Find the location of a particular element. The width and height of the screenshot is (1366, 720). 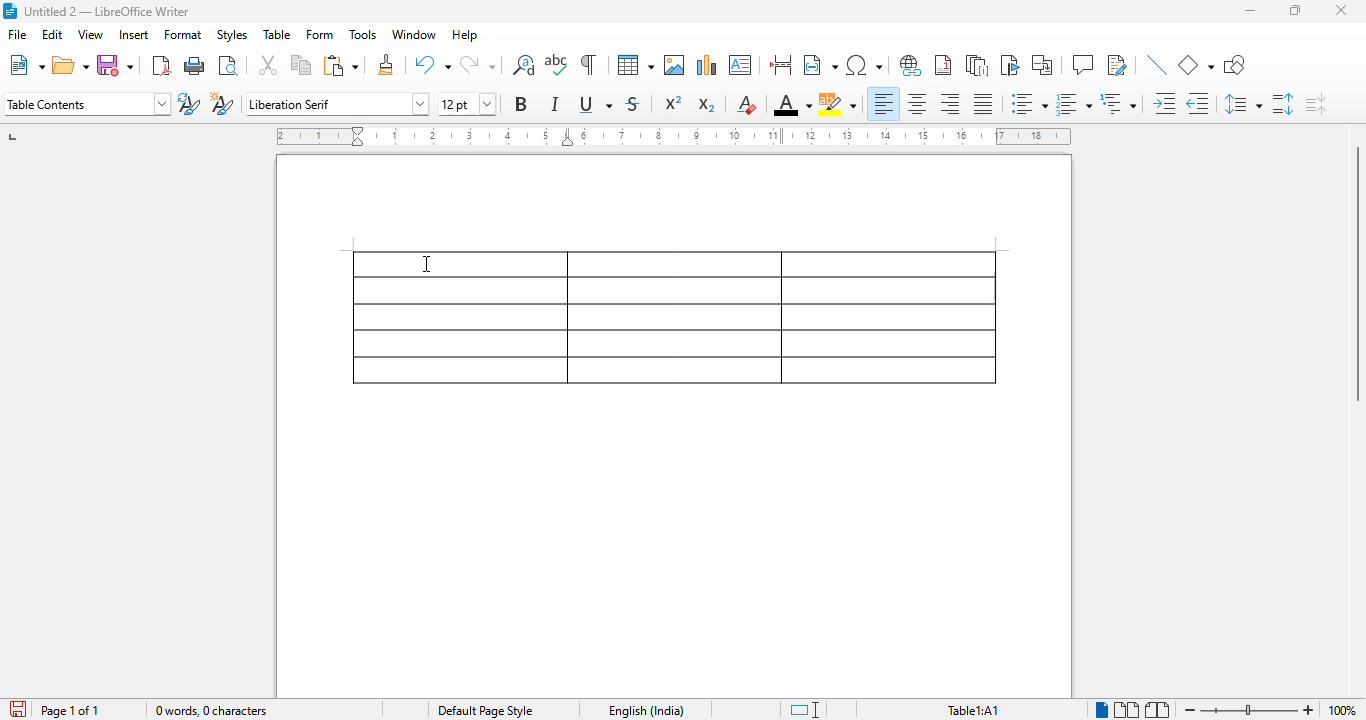

toggle unordered list is located at coordinates (1030, 103).